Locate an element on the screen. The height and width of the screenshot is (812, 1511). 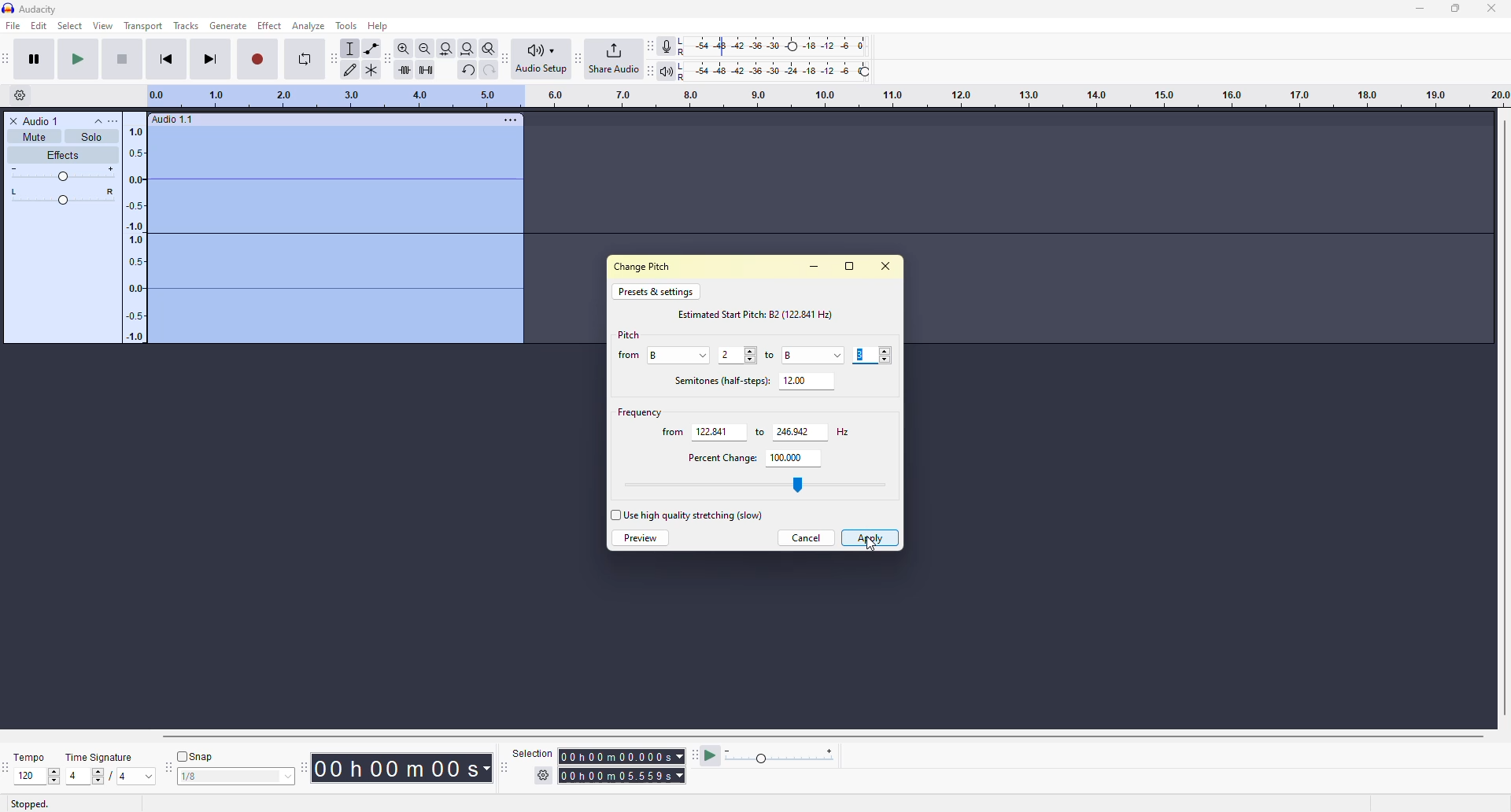
time is located at coordinates (620, 755).